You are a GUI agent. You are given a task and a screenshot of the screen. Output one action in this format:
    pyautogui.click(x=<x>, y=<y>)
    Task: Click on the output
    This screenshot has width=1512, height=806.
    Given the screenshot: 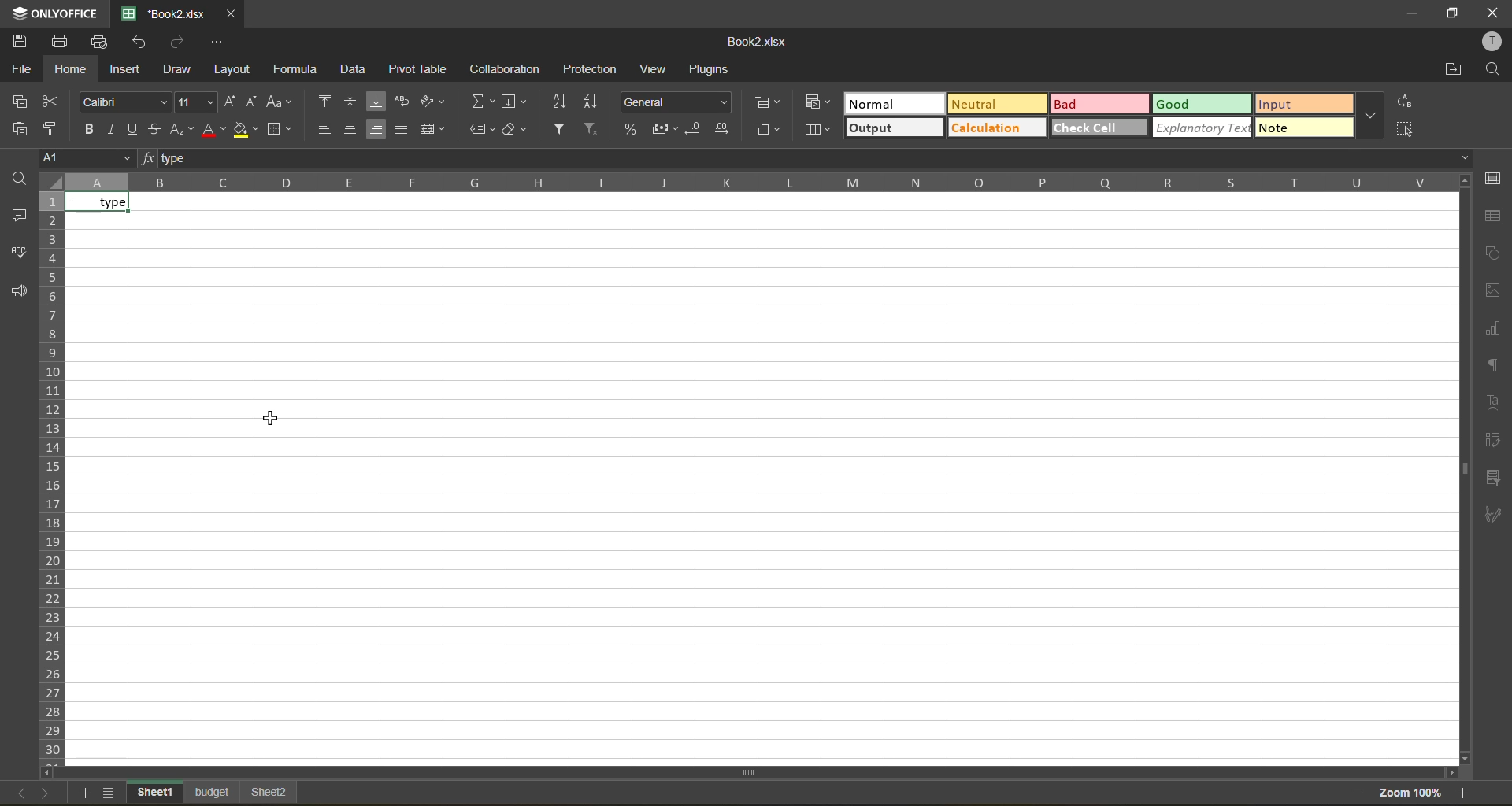 What is the action you would take?
    pyautogui.click(x=892, y=130)
    